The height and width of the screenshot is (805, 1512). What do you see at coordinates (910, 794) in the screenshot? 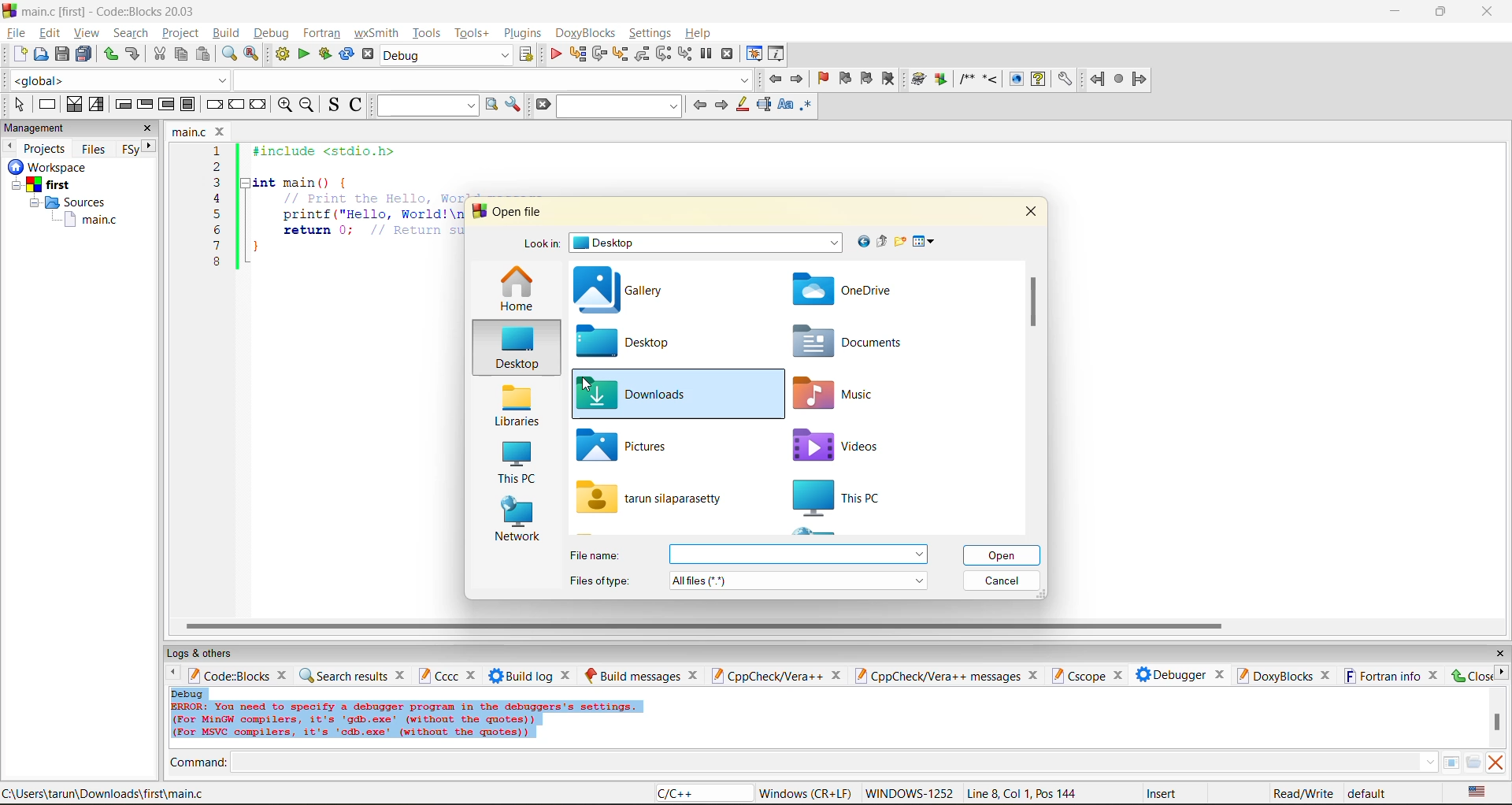
I see `Windows 1252` at bounding box center [910, 794].